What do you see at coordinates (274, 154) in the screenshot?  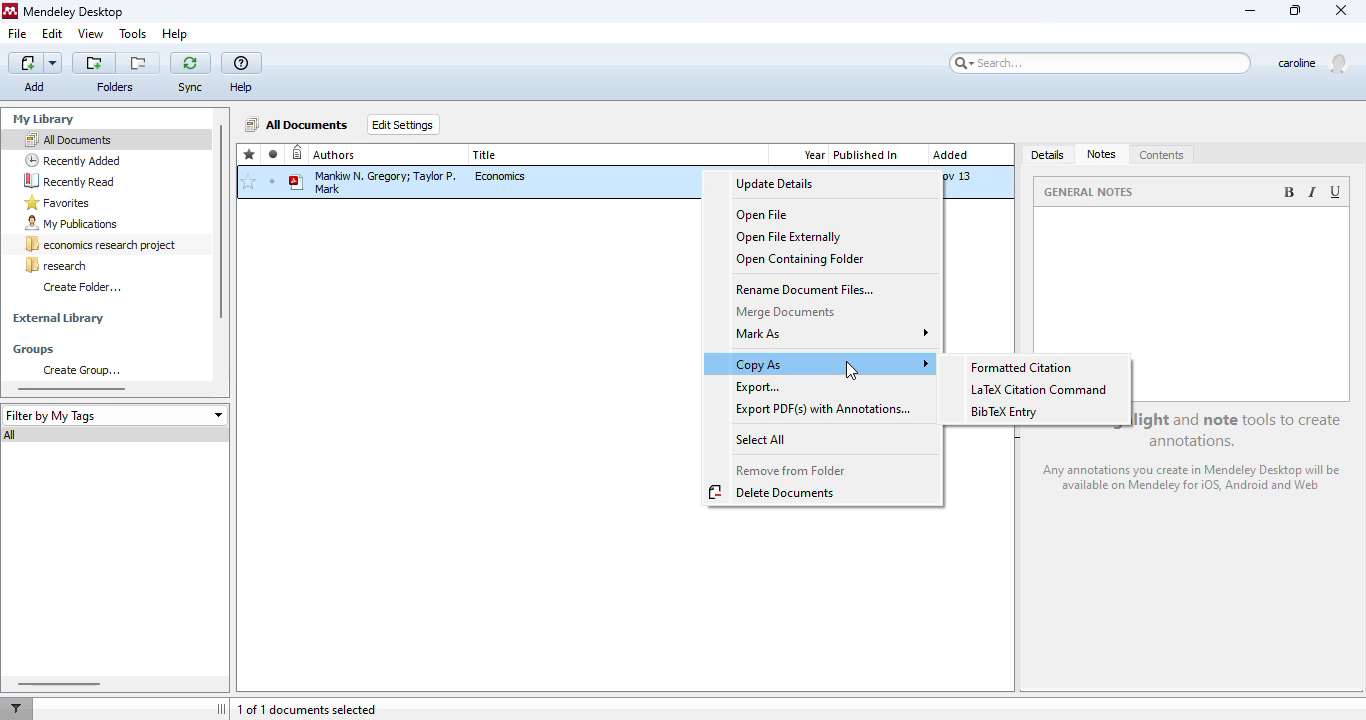 I see `read/unread` at bounding box center [274, 154].